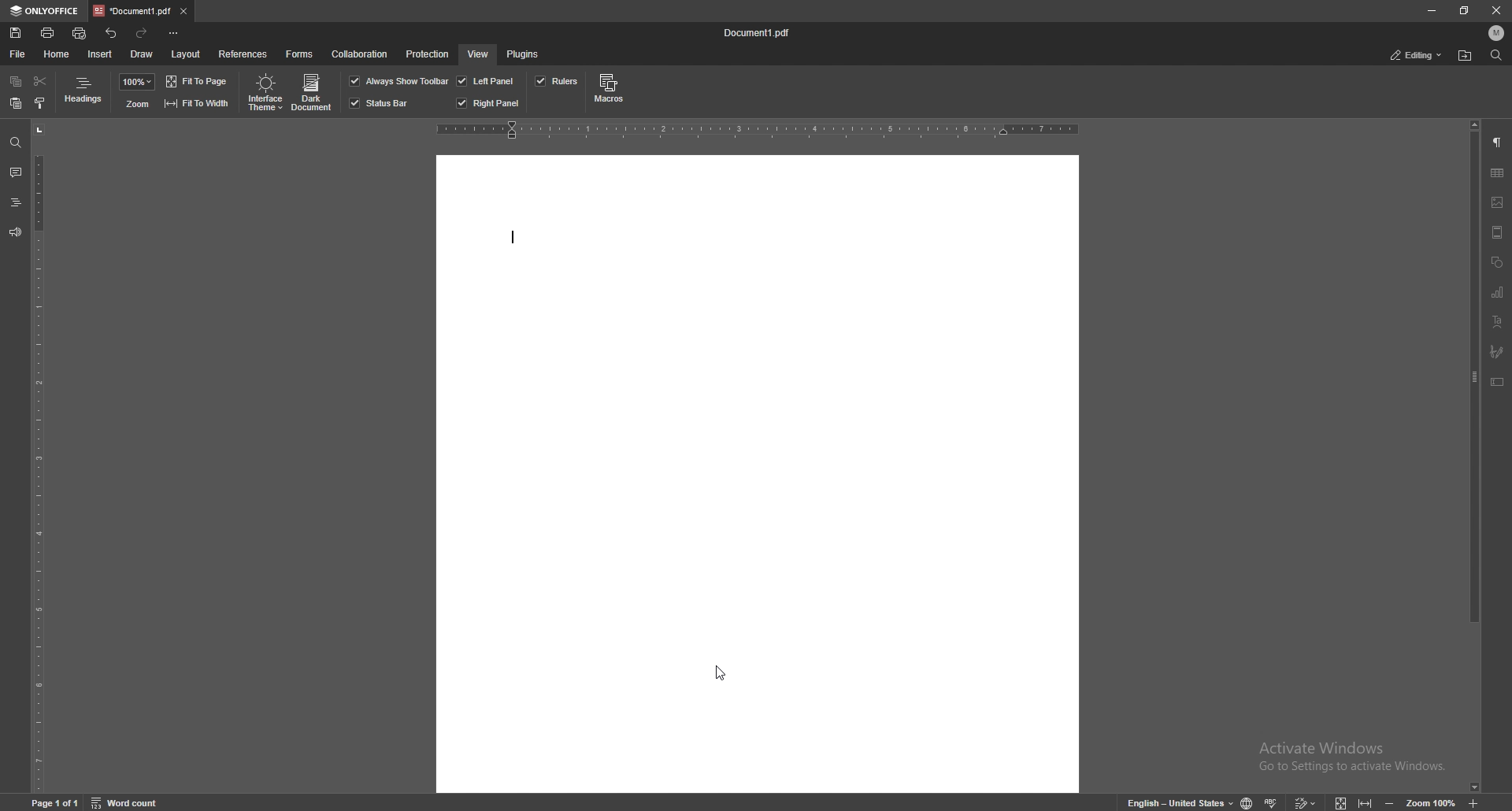 The image size is (1512, 811). Describe the element at coordinates (313, 93) in the screenshot. I see `dark document` at that location.